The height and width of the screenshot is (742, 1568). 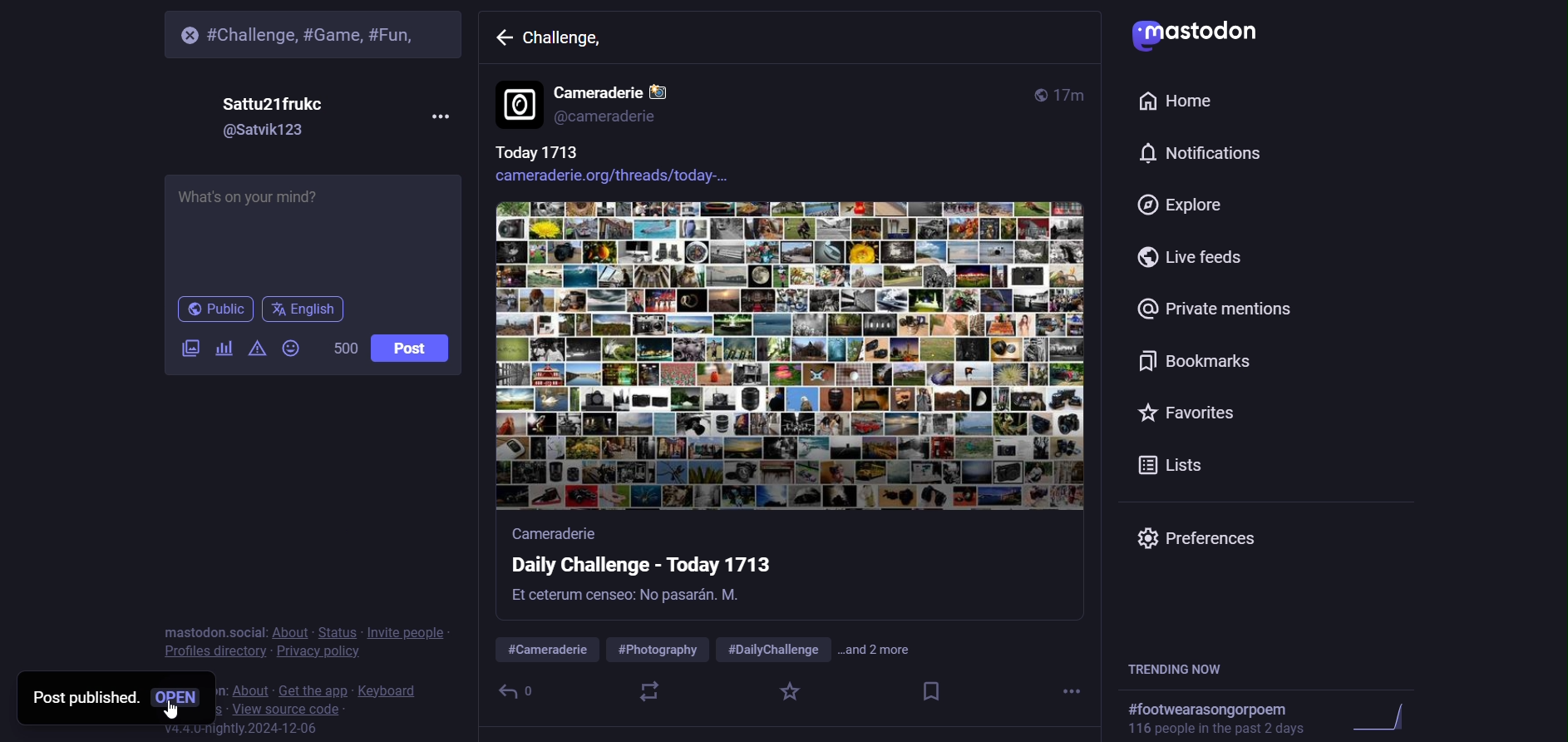 I want to click on public, so click(x=1036, y=92).